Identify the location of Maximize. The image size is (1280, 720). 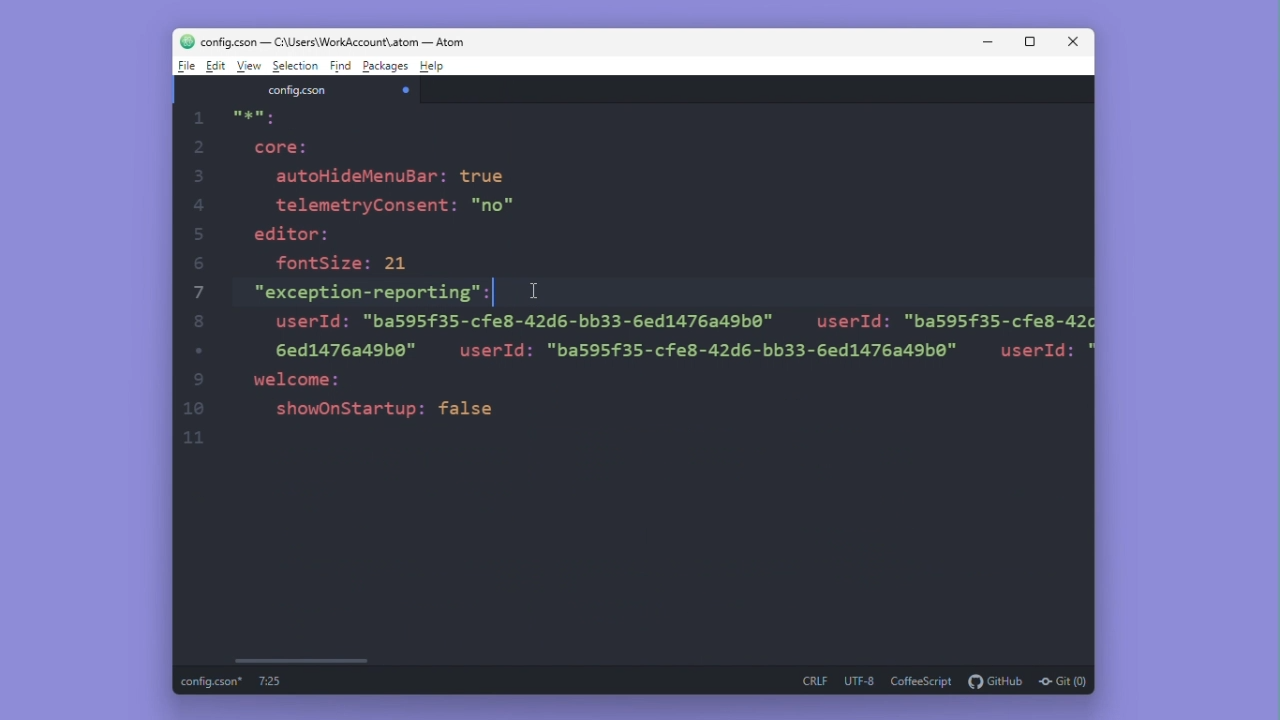
(1030, 41).